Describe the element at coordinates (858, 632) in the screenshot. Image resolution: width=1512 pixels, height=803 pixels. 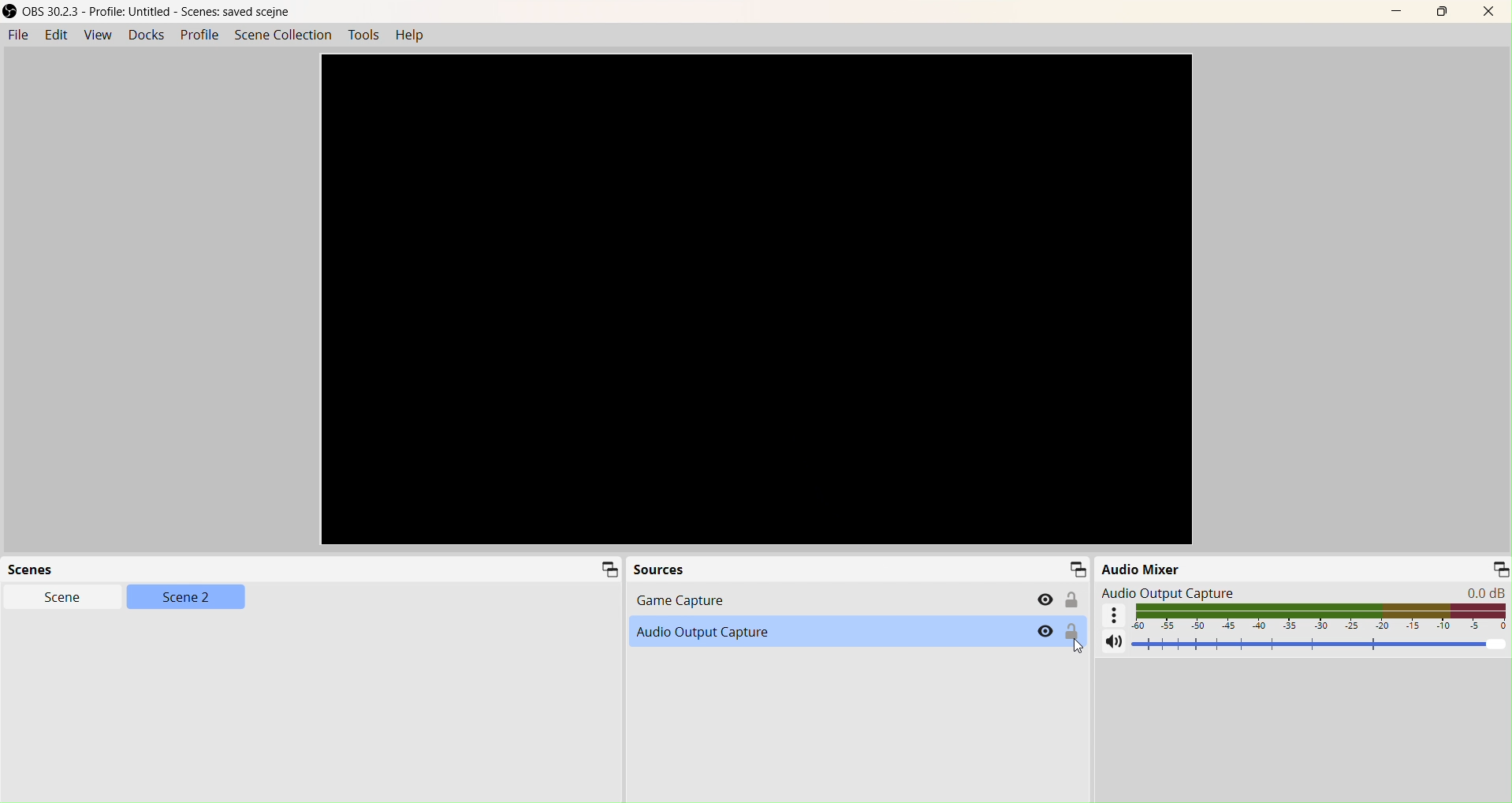
I see `Audio Output Capture` at that location.